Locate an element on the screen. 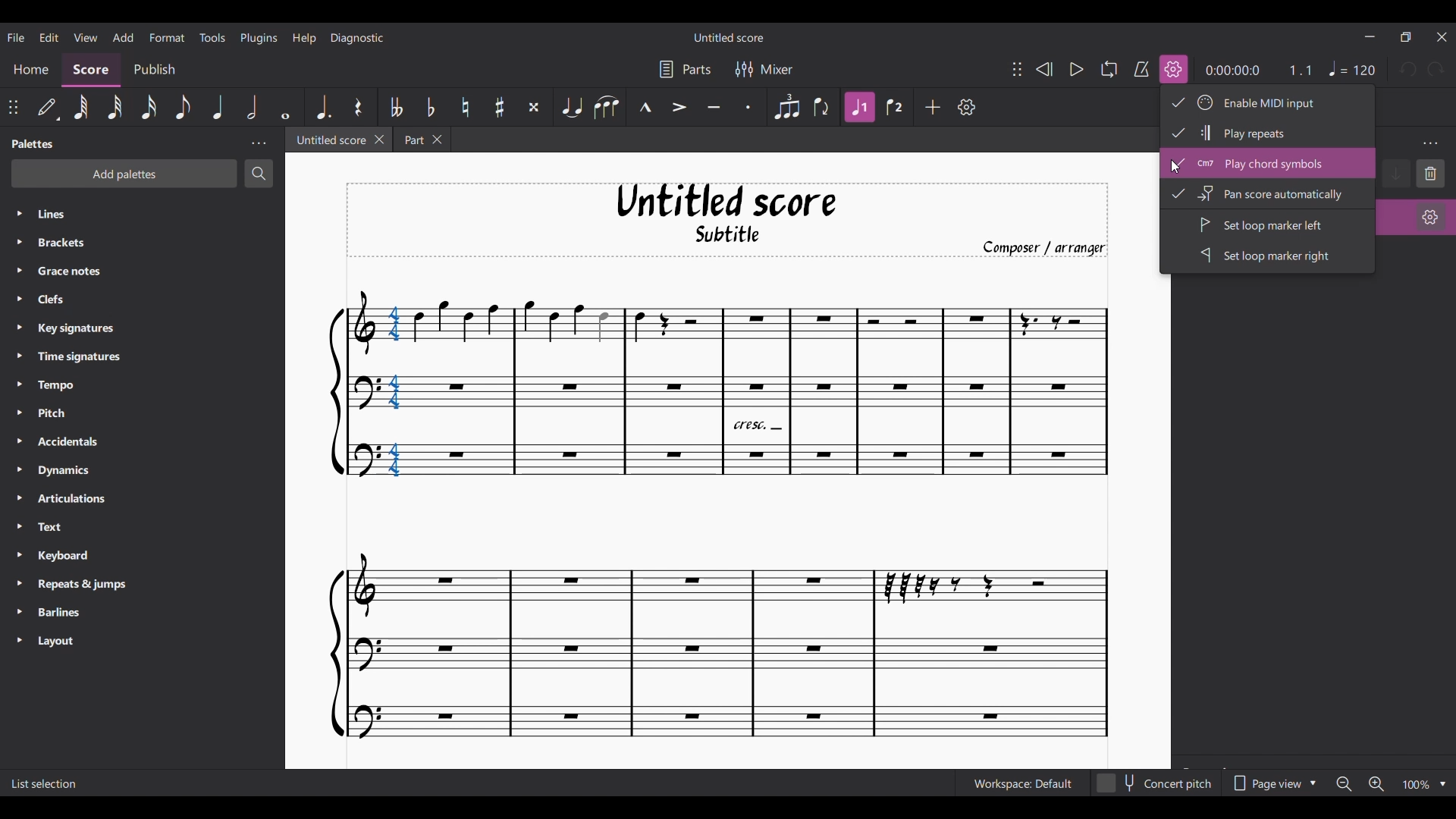 The width and height of the screenshot is (1456, 819). Change position of toolbar attached is located at coordinates (1017, 69).